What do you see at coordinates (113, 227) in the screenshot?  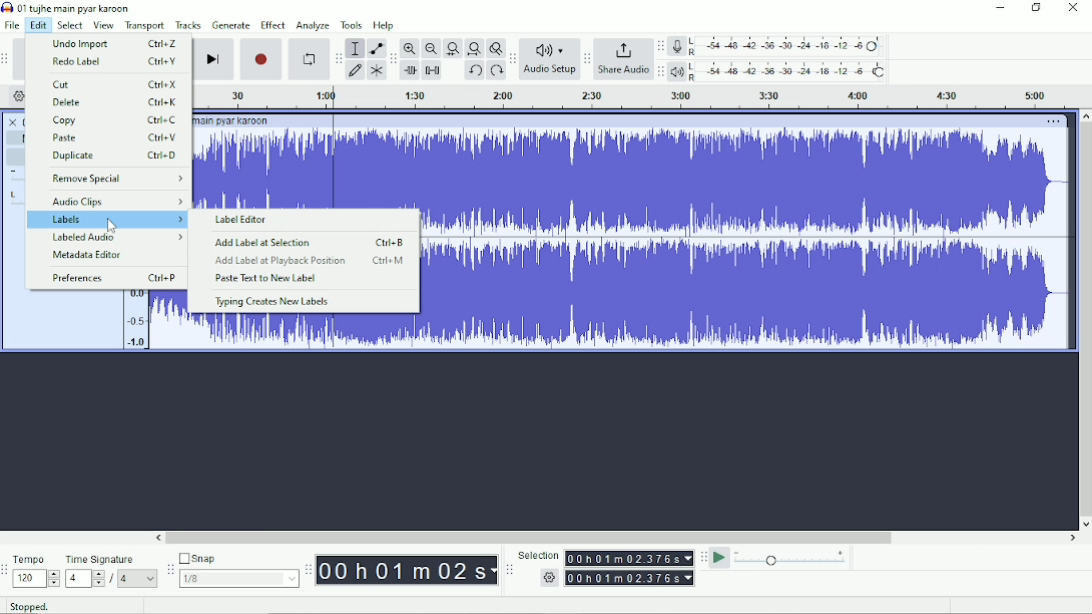 I see `cursor` at bounding box center [113, 227].